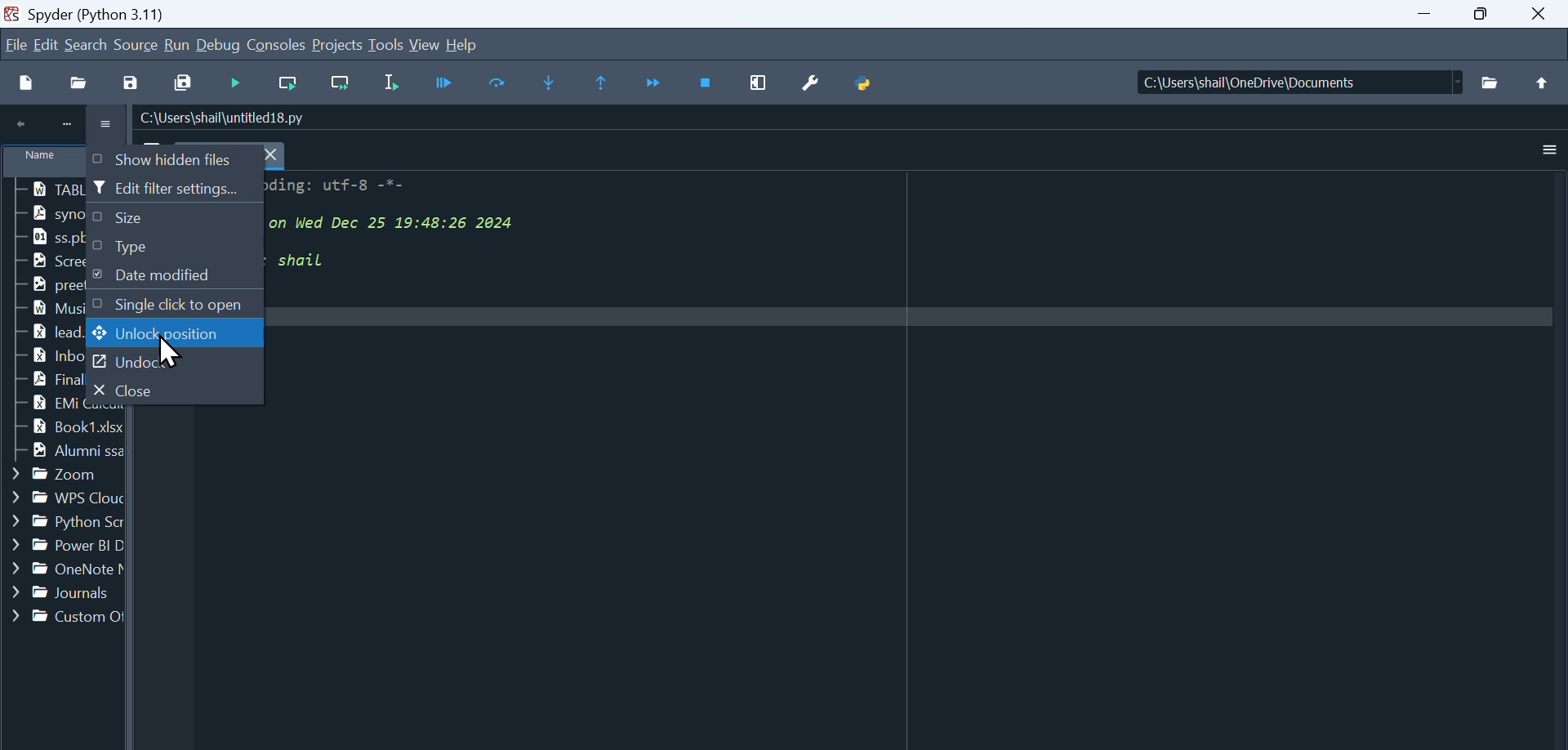 The width and height of the screenshot is (1568, 750). Describe the element at coordinates (285, 84) in the screenshot. I see `Run current cell` at that location.